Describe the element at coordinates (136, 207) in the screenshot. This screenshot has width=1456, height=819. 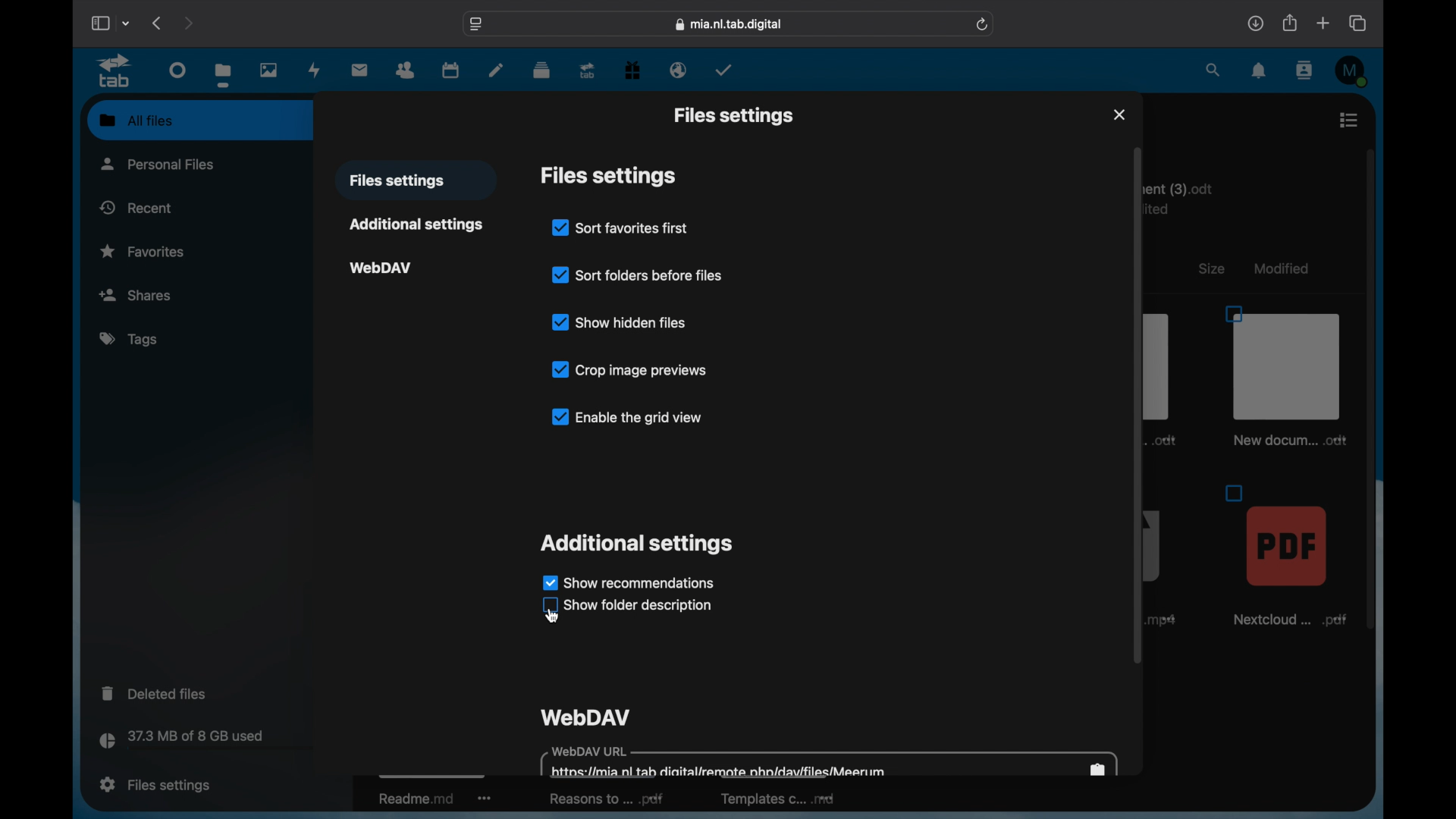
I see `recent` at that location.